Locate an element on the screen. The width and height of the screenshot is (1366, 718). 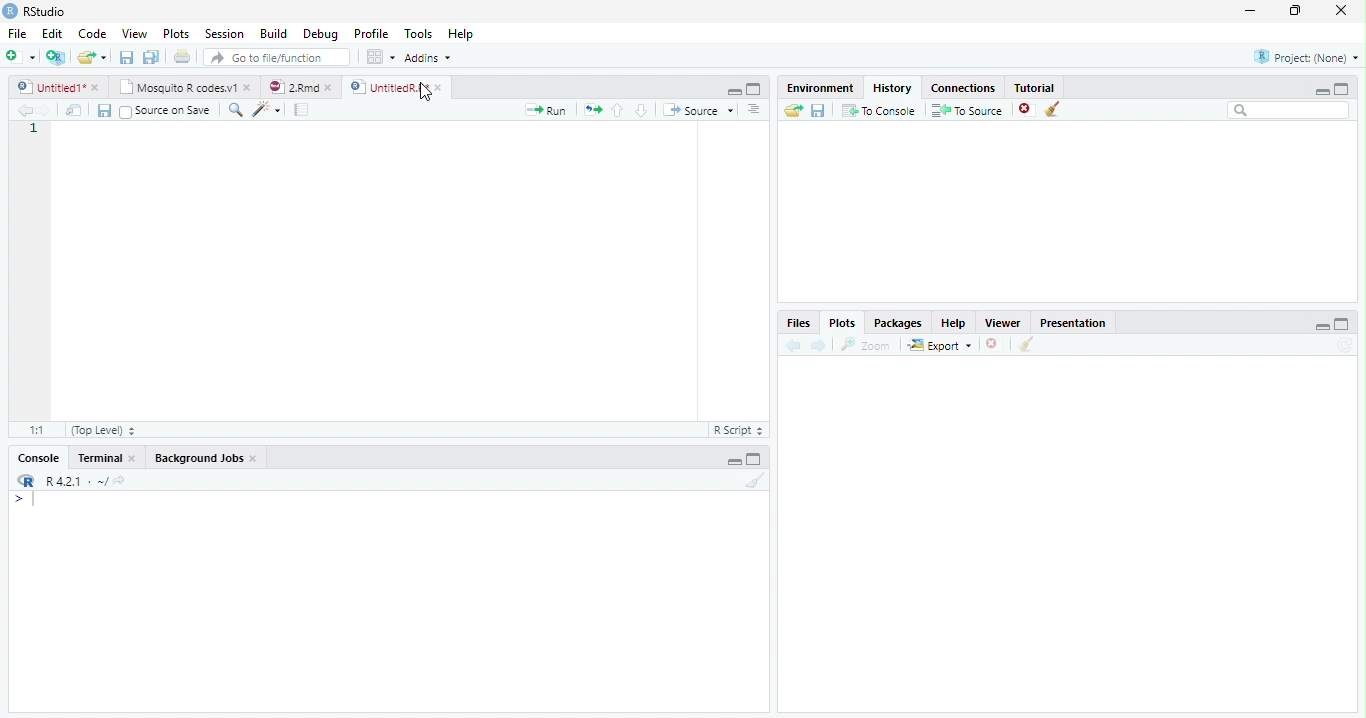
Environment is located at coordinates (820, 88).